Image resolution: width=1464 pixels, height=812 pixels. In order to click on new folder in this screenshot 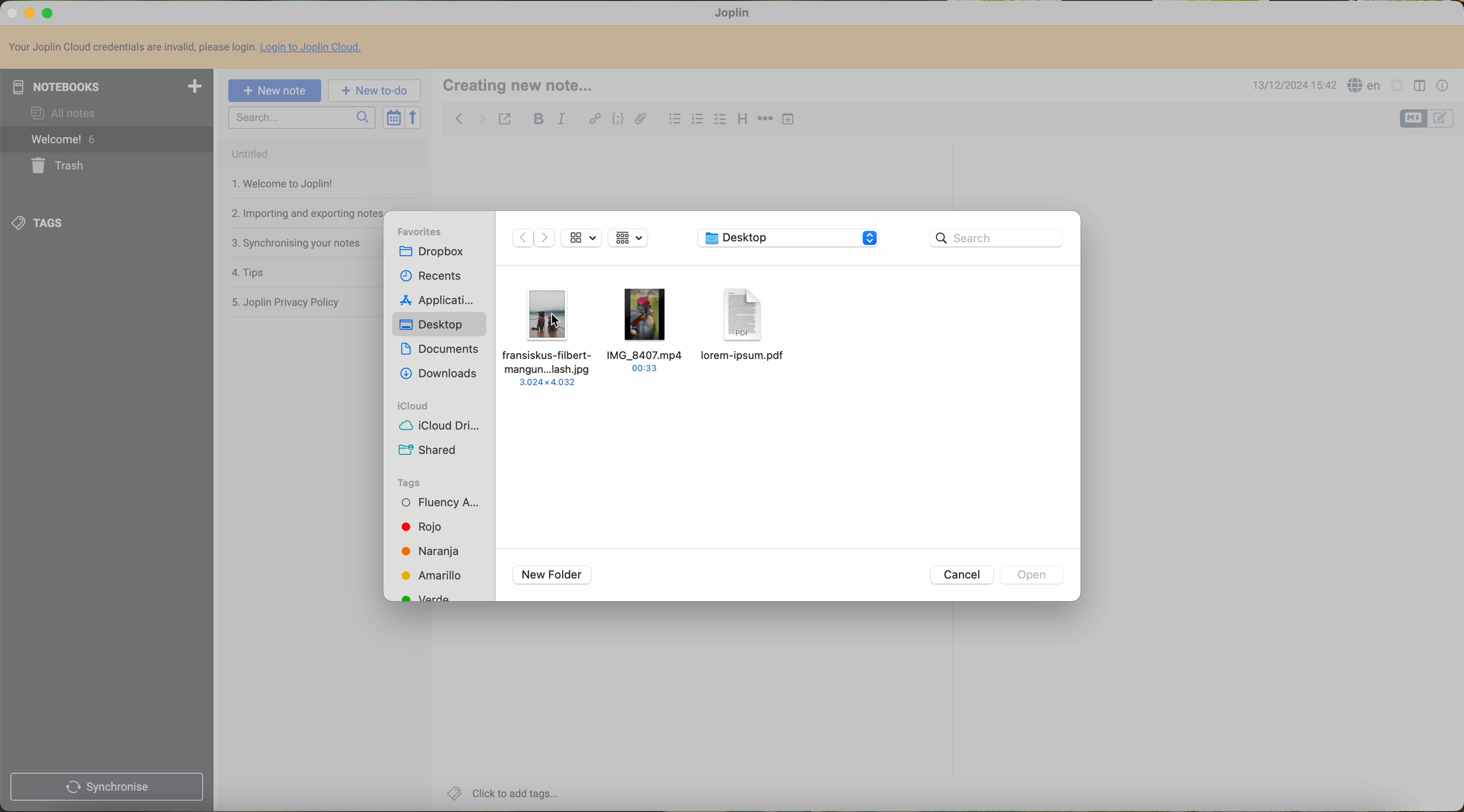, I will do `click(554, 574)`.